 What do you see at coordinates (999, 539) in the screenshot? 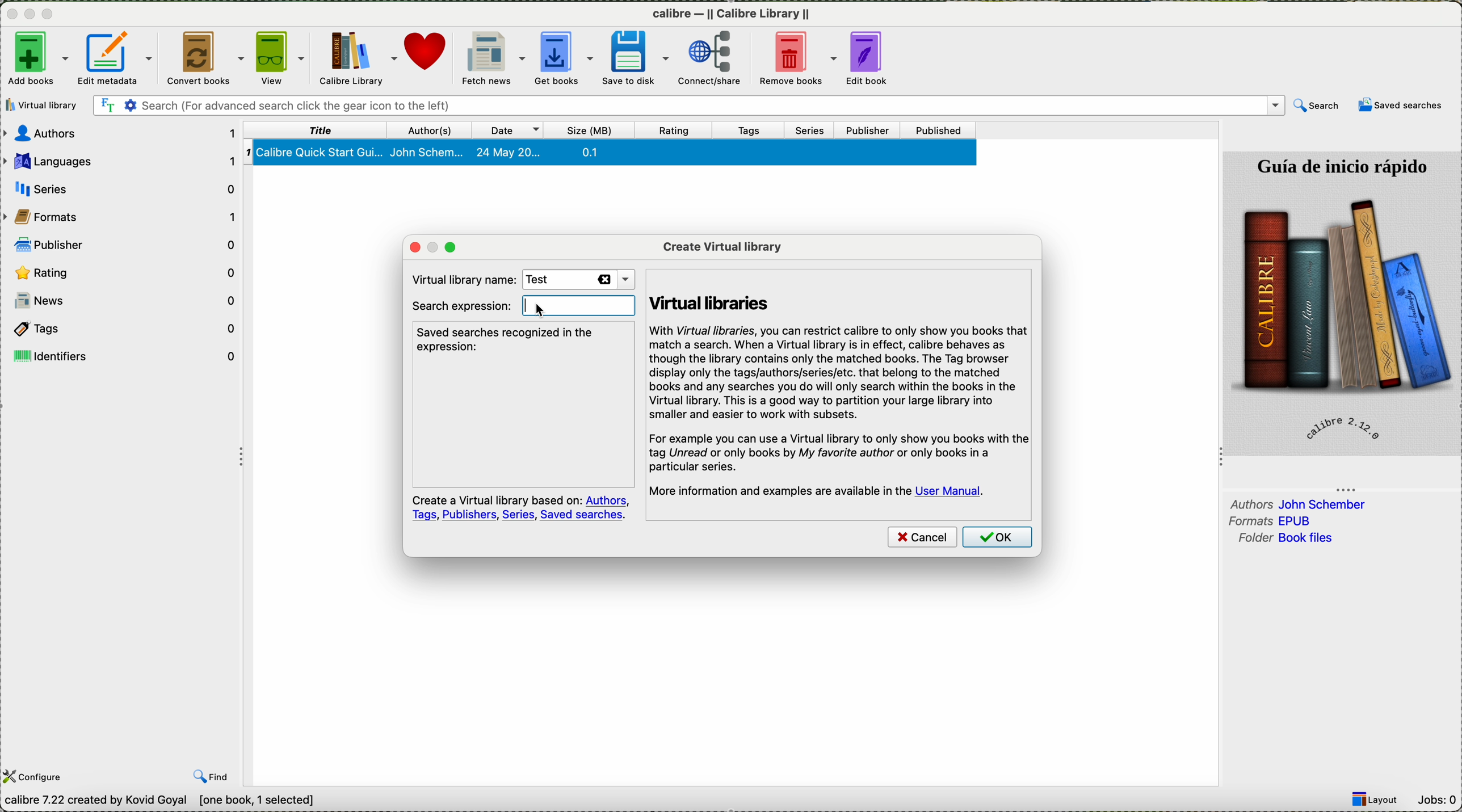
I see `OK button` at bounding box center [999, 539].